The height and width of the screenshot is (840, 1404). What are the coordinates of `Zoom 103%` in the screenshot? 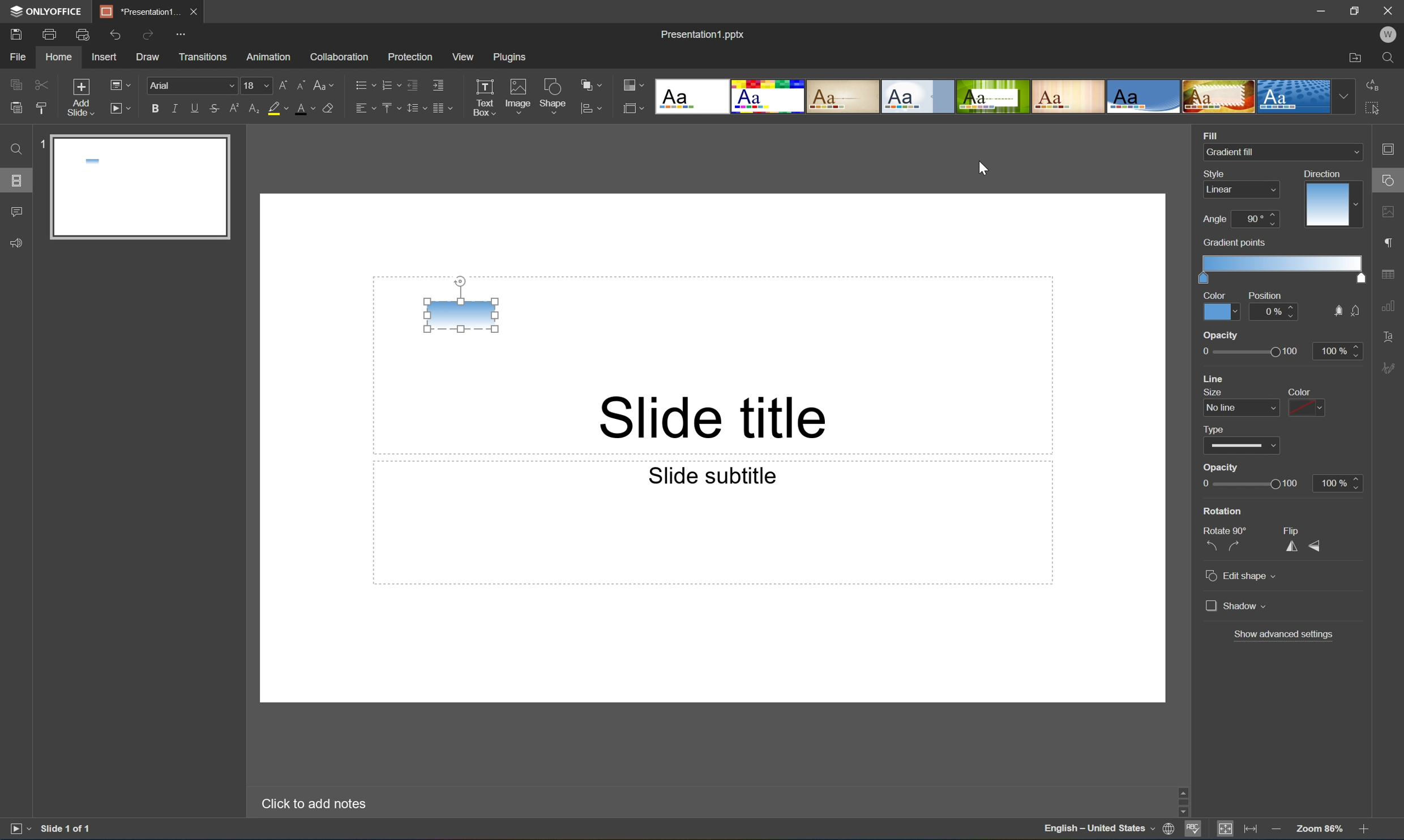 It's located at (1321, 830).